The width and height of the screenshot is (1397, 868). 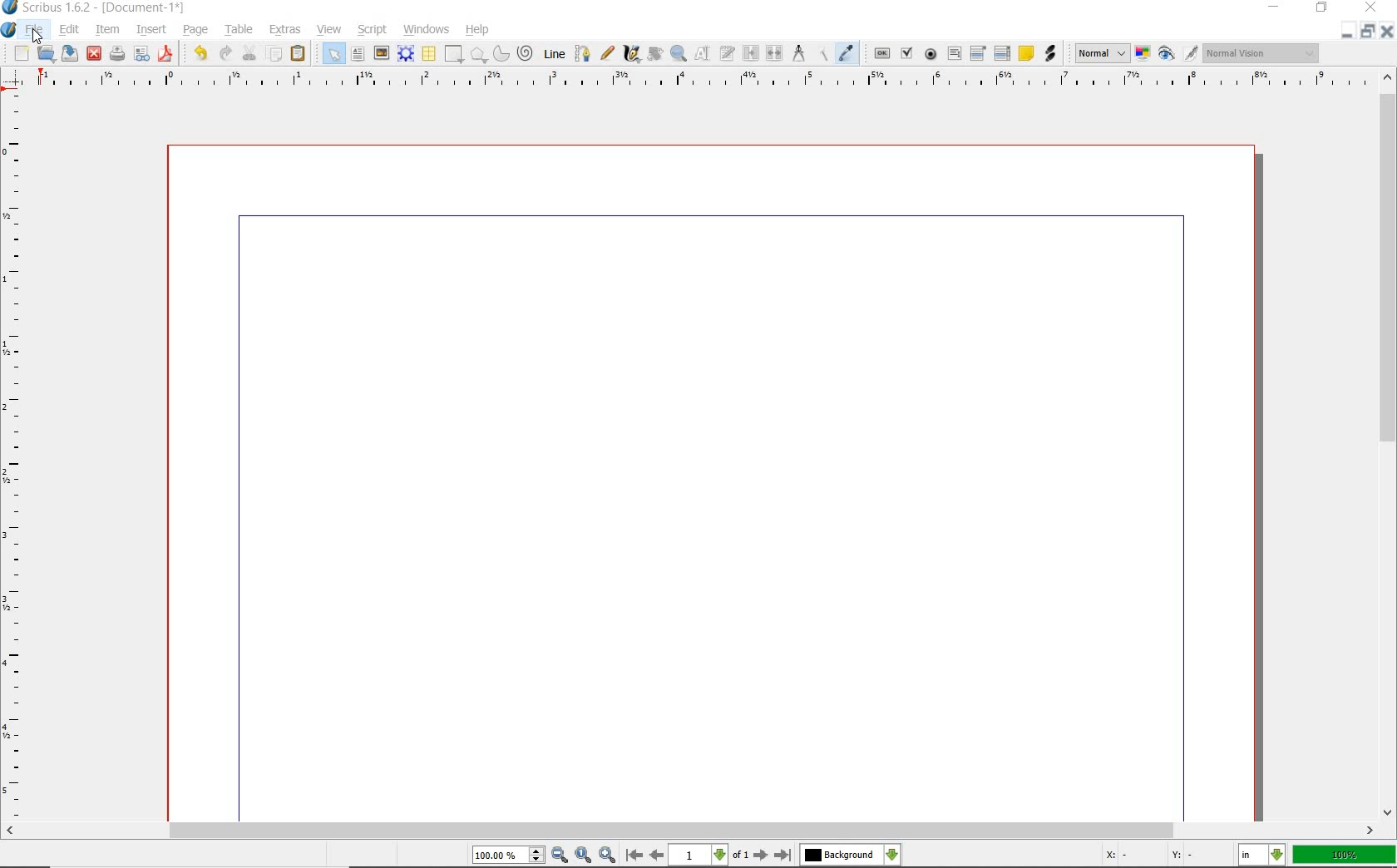 What do you see at coordinates (1345, 32) in the screenshot?
I see `restore` at bounding box center [1345, 32].